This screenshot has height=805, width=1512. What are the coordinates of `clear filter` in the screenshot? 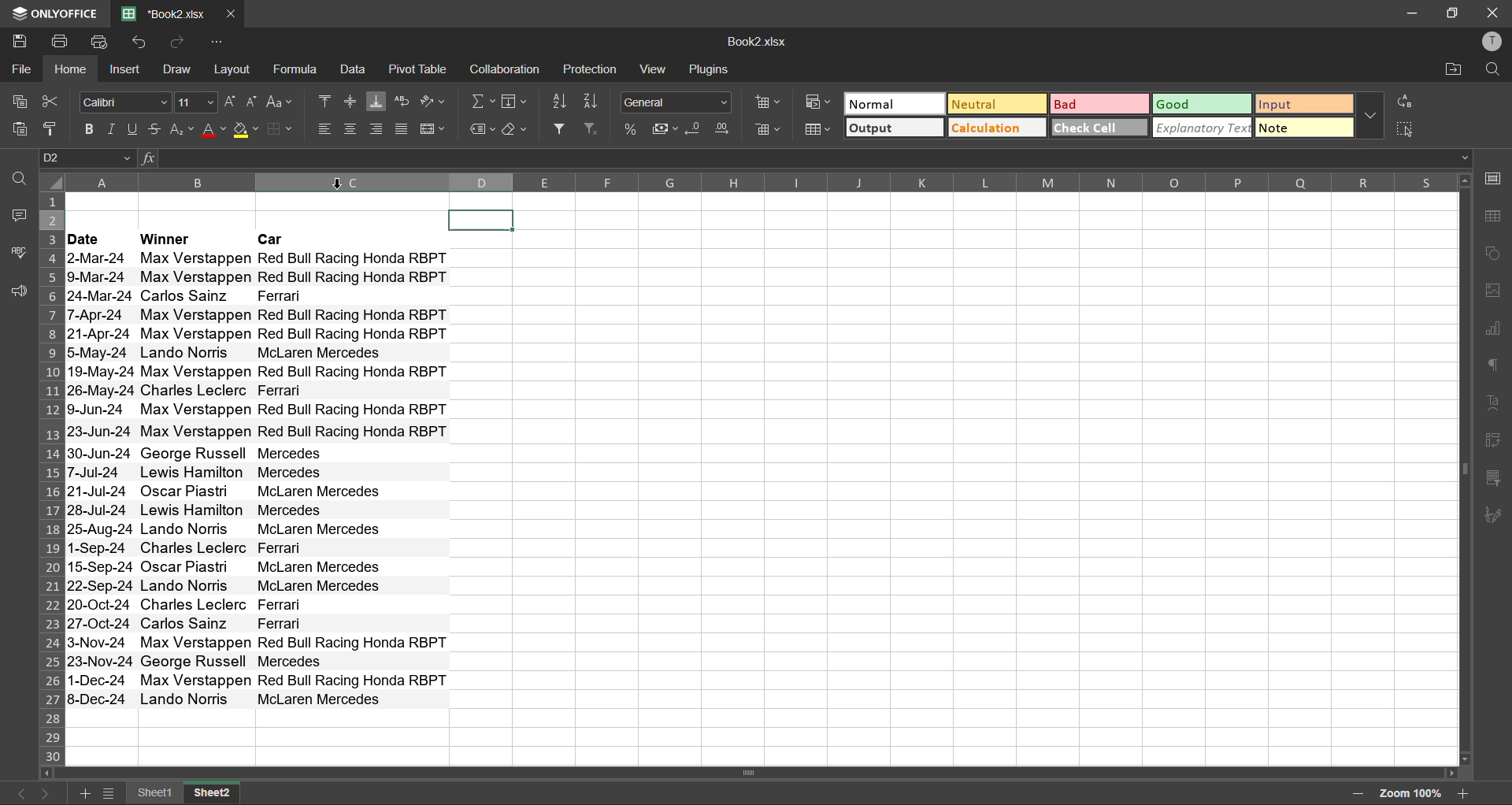 It's located at (594, 132).